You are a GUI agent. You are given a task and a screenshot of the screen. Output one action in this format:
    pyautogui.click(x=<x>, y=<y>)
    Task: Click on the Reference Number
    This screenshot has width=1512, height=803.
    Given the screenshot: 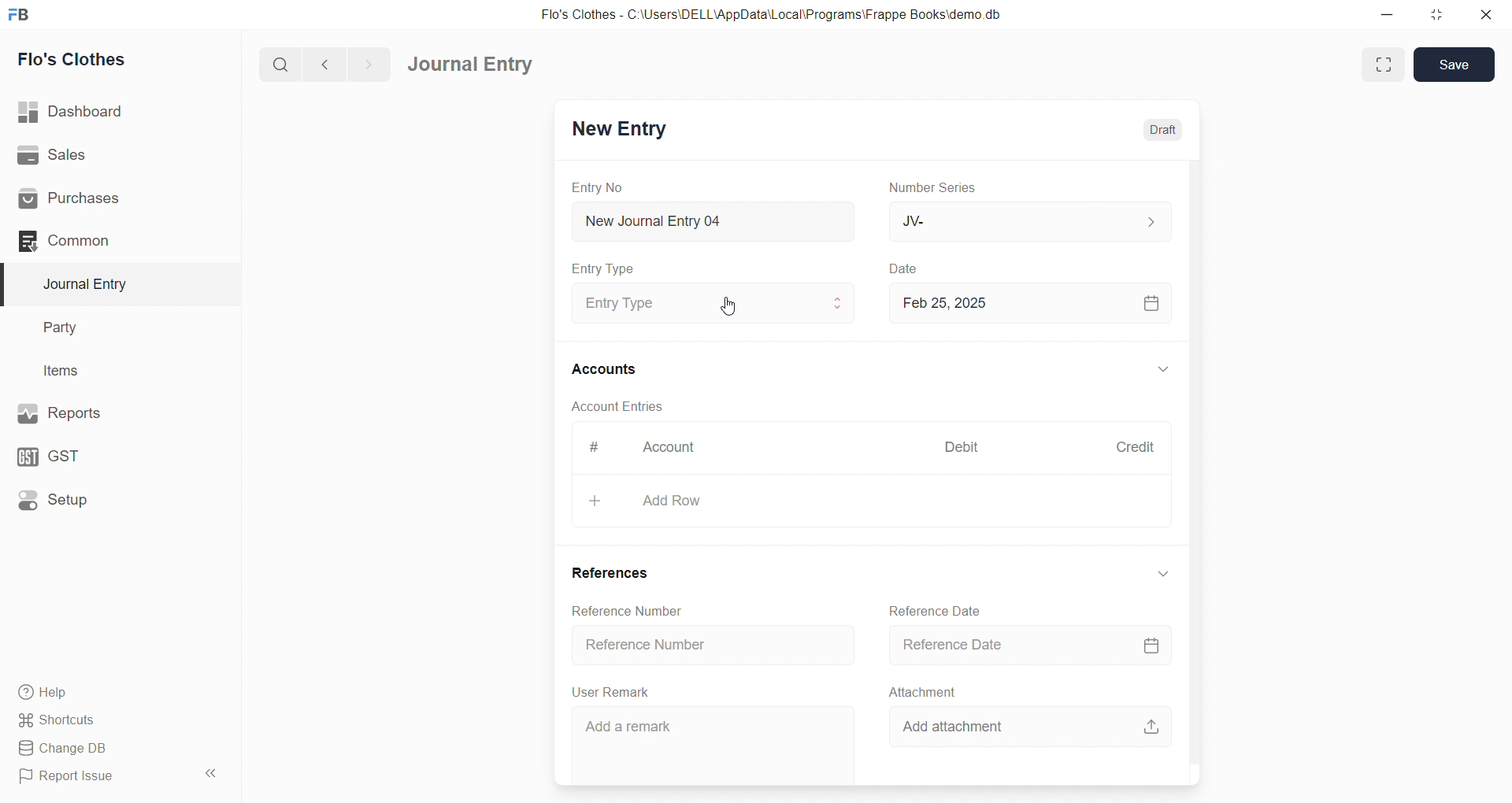 What is the action you would take?
    pyautogui.click(x=632, y=610)
    